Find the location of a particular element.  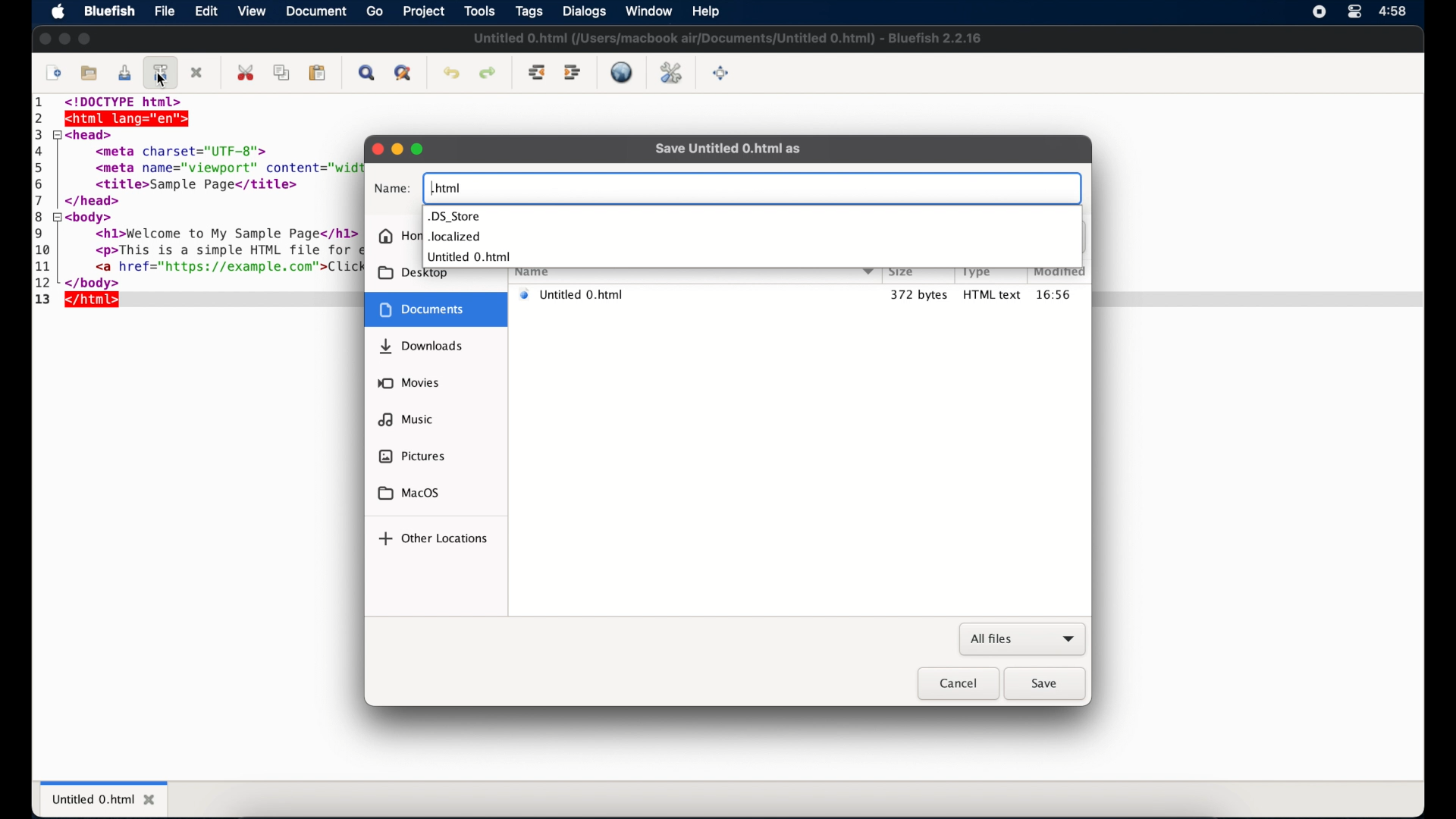

modified time is located at coordinates (1061, 294).